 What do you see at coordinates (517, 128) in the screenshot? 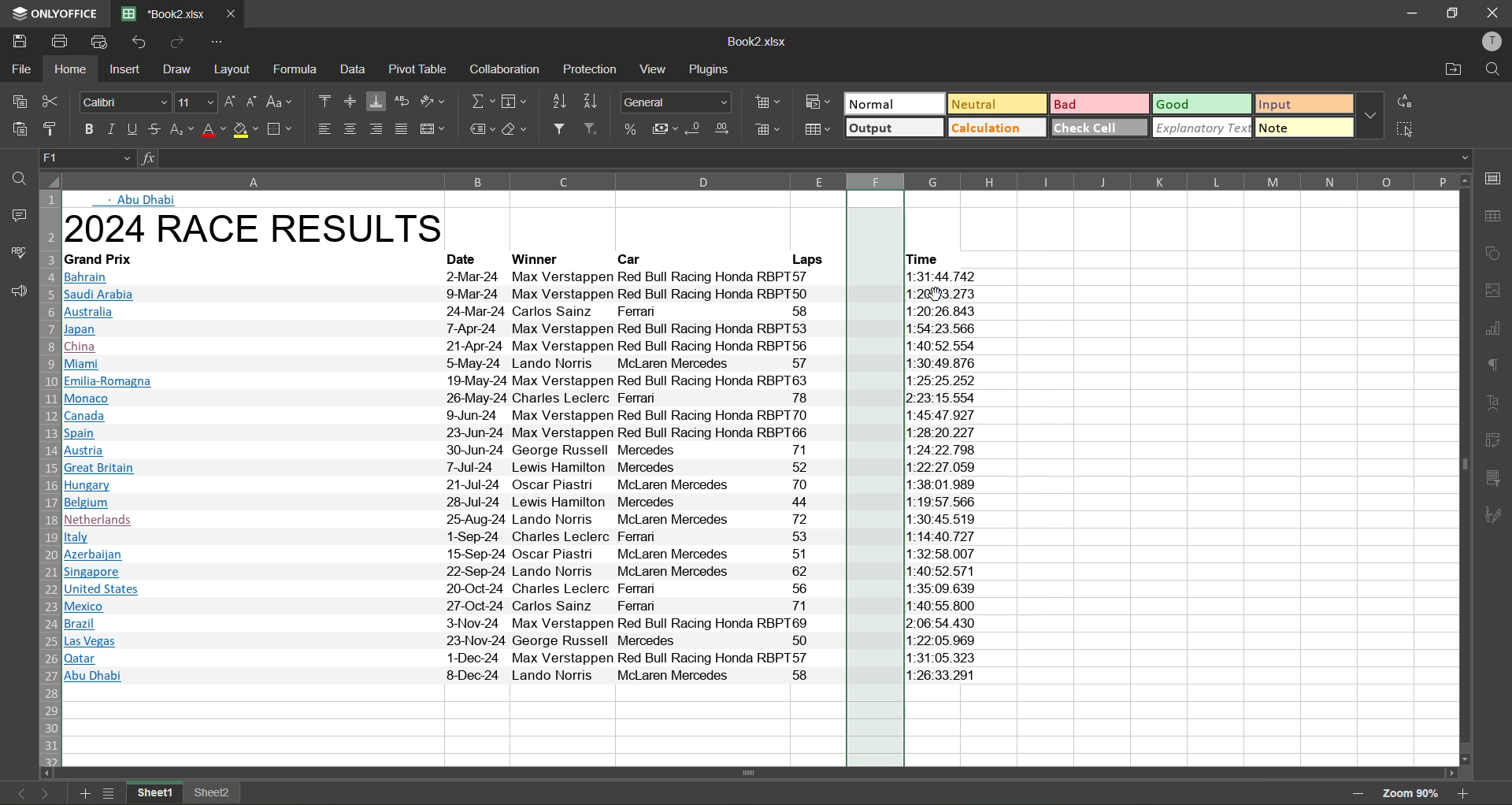
I see `clear` at bounding box center [517, 128].